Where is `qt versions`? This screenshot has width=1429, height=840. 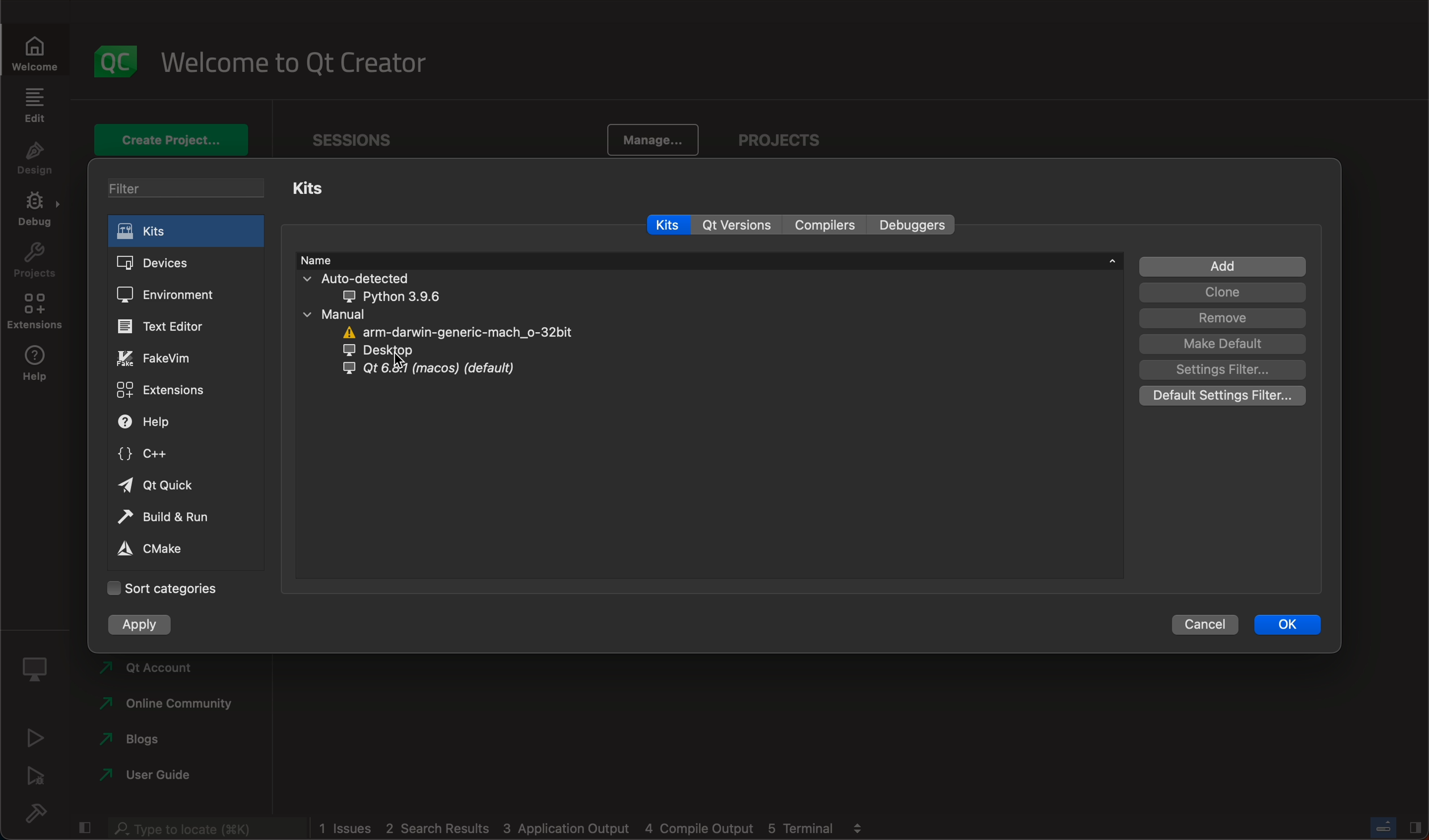
qt versions is located at coordinates (740, 224).